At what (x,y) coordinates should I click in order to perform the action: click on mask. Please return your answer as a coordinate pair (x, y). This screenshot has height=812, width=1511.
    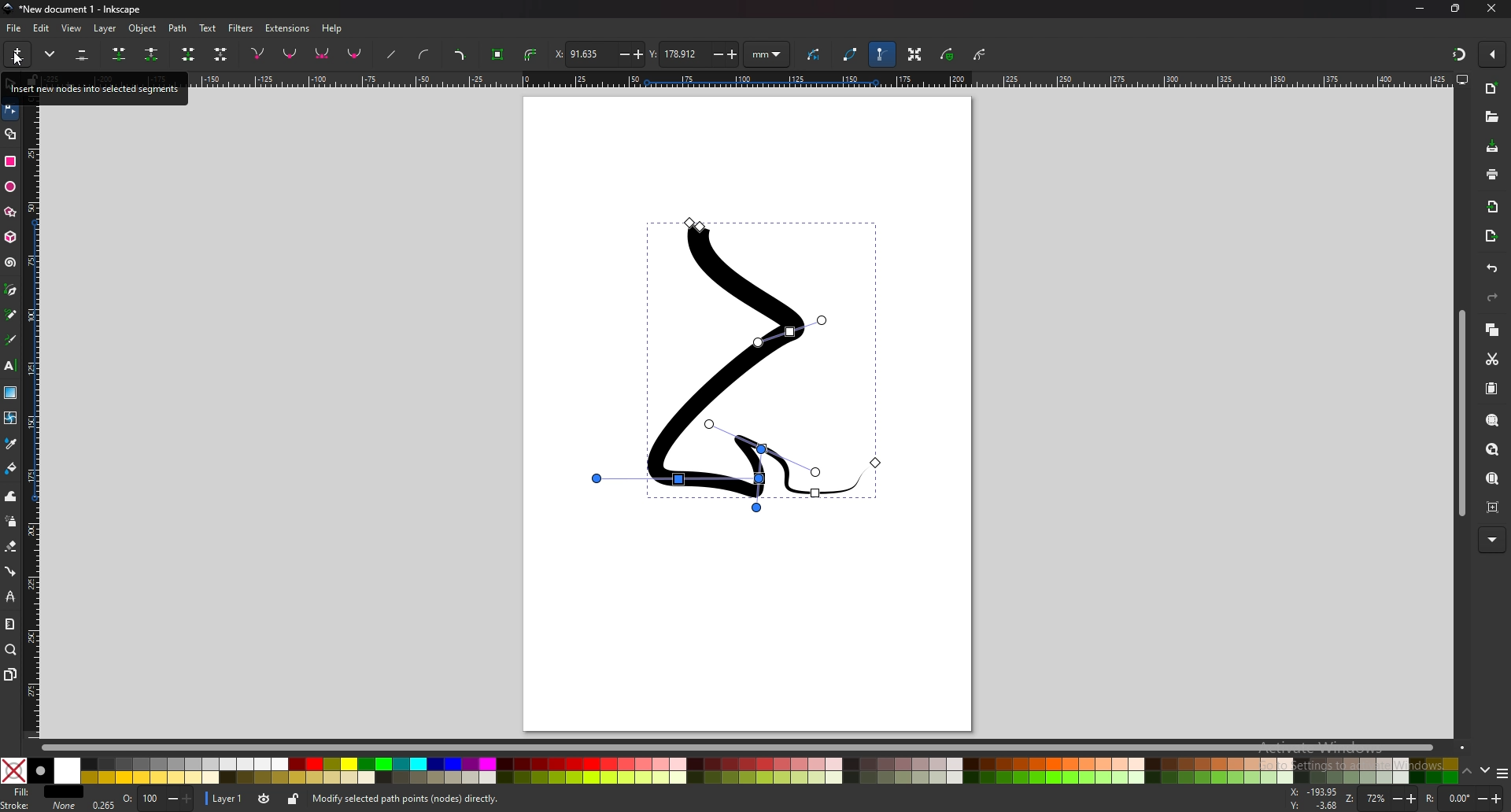
    Looking at the image, I should click on (948, 55).